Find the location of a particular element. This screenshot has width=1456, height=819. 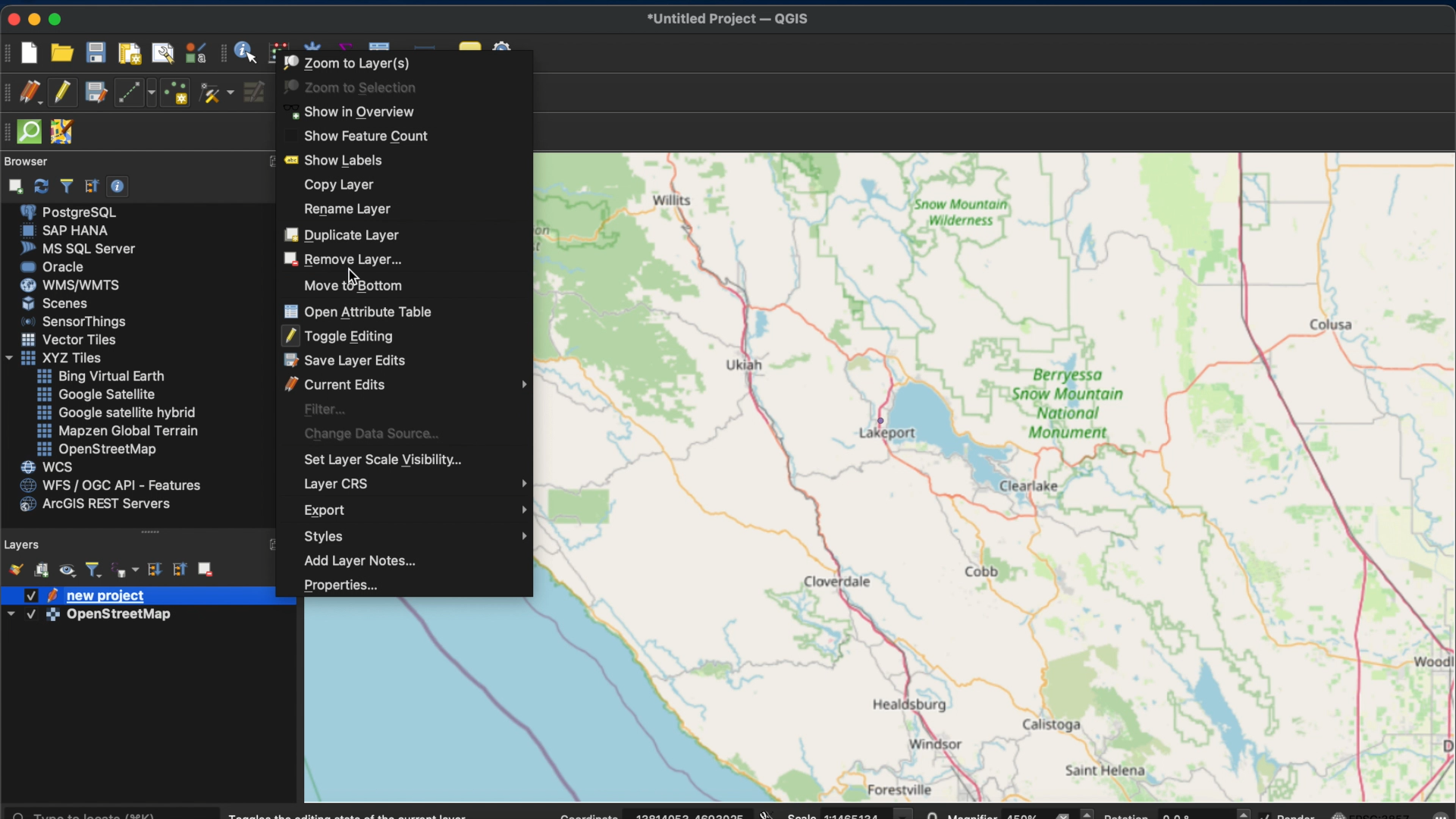

copy layer is located at coordinates (341, 186).